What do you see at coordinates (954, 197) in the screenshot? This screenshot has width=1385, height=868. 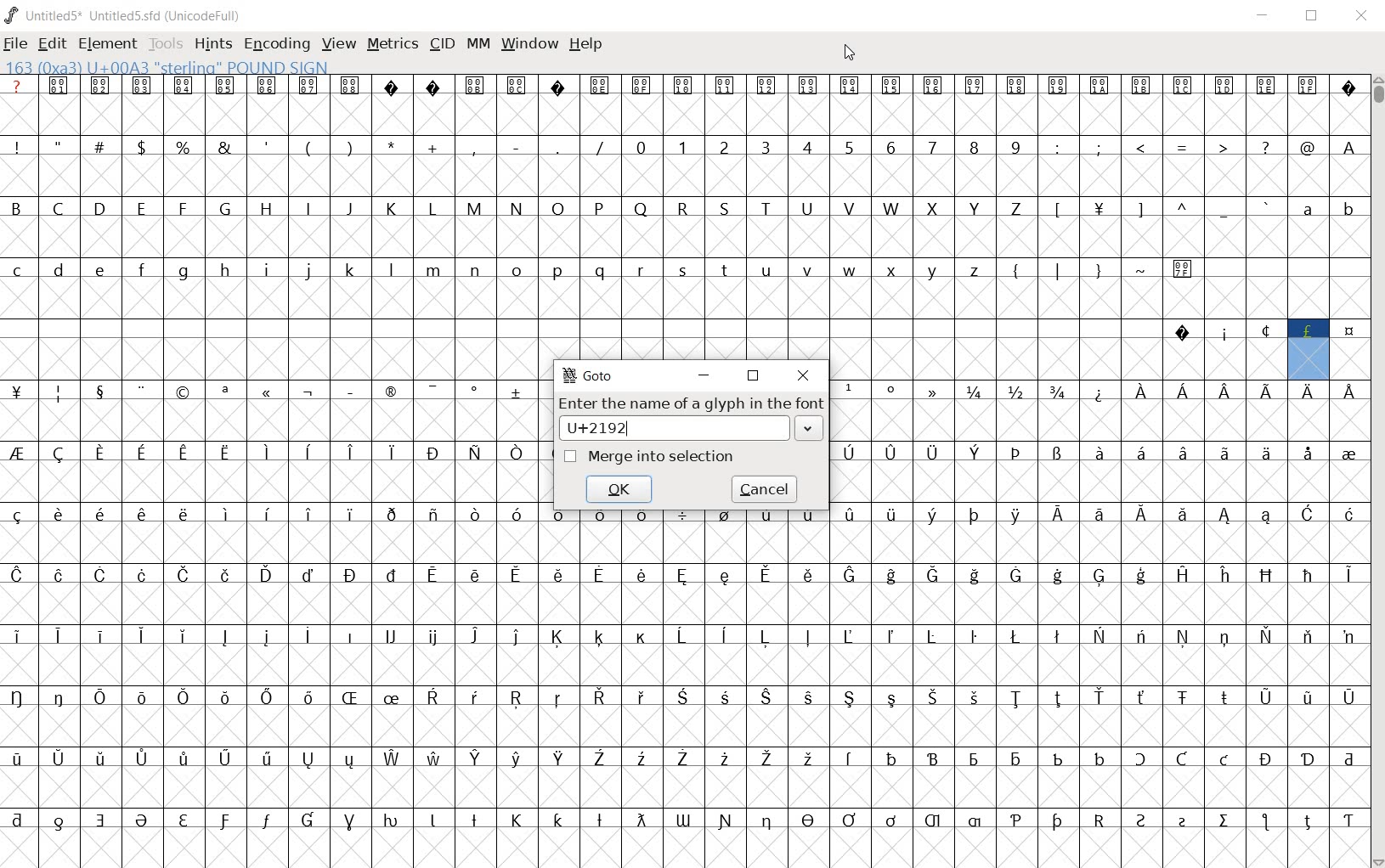 I see `glyph characters` at bounding box center [954, 197].